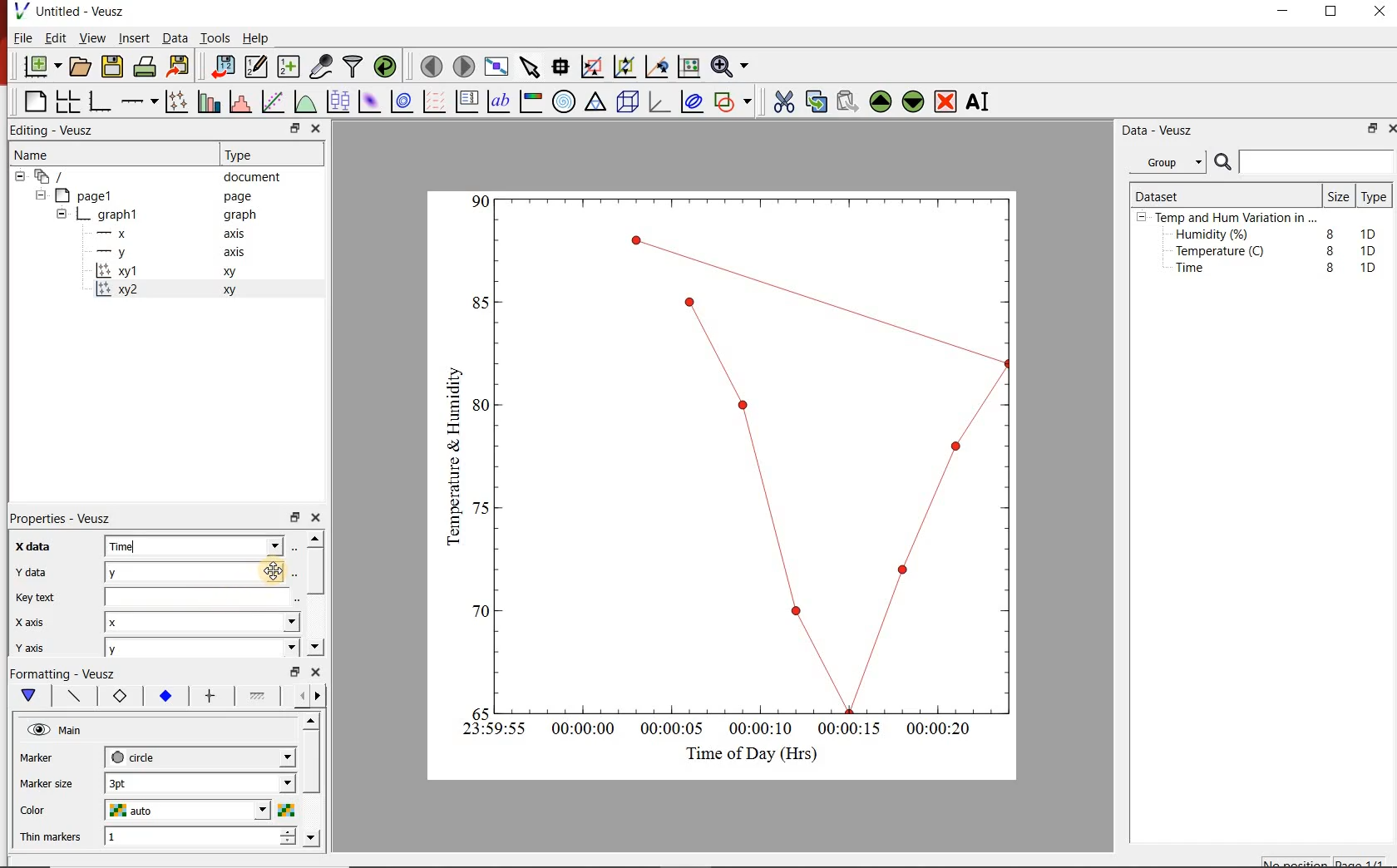 The width and height of the screenshot is (1397, 868). I want to click on y data dropdown, so click(249, 572).